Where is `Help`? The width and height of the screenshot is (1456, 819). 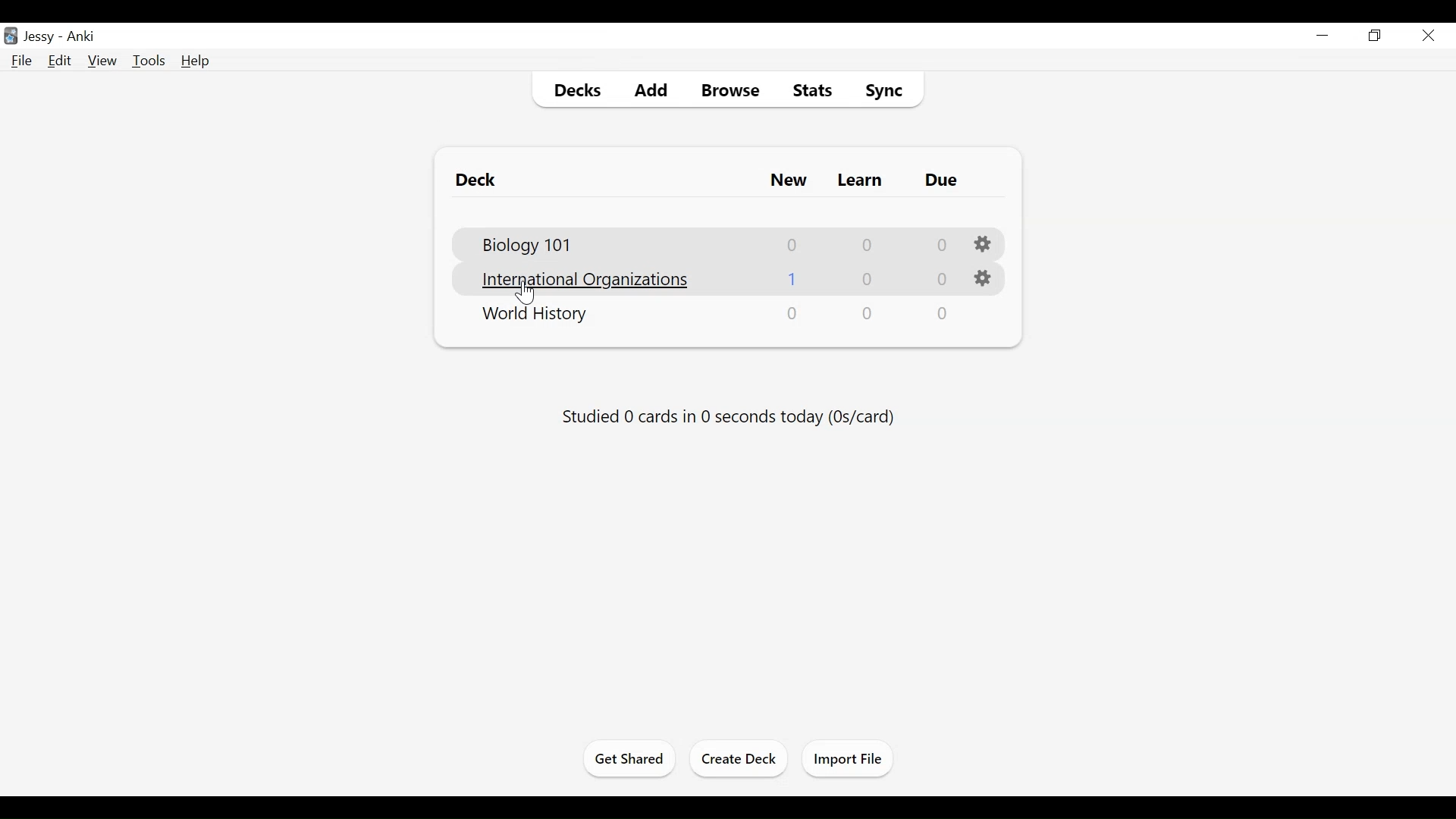
Help is located at coordinates (197, 62).